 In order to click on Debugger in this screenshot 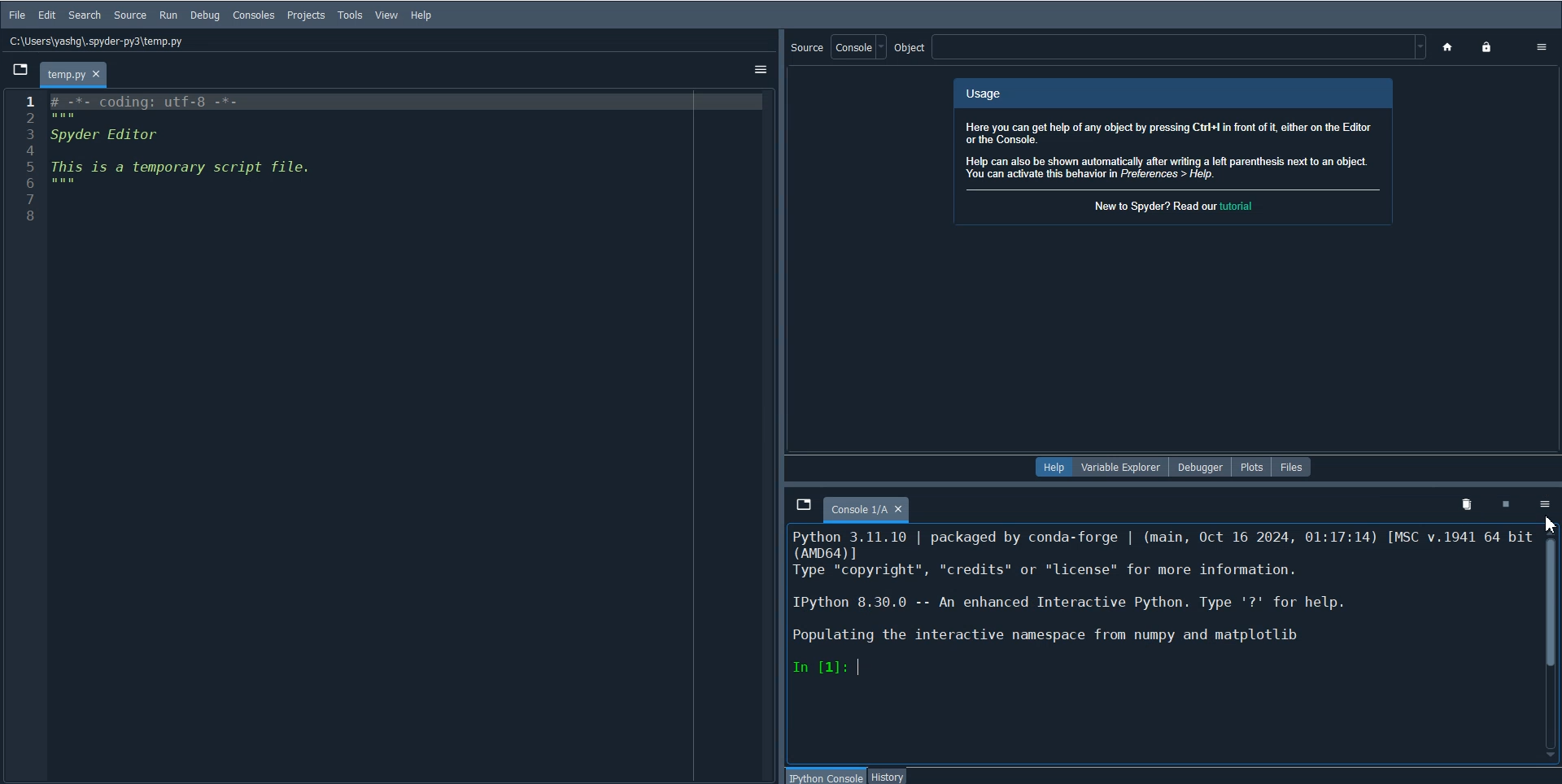, I will do `click(1198, 466)`.